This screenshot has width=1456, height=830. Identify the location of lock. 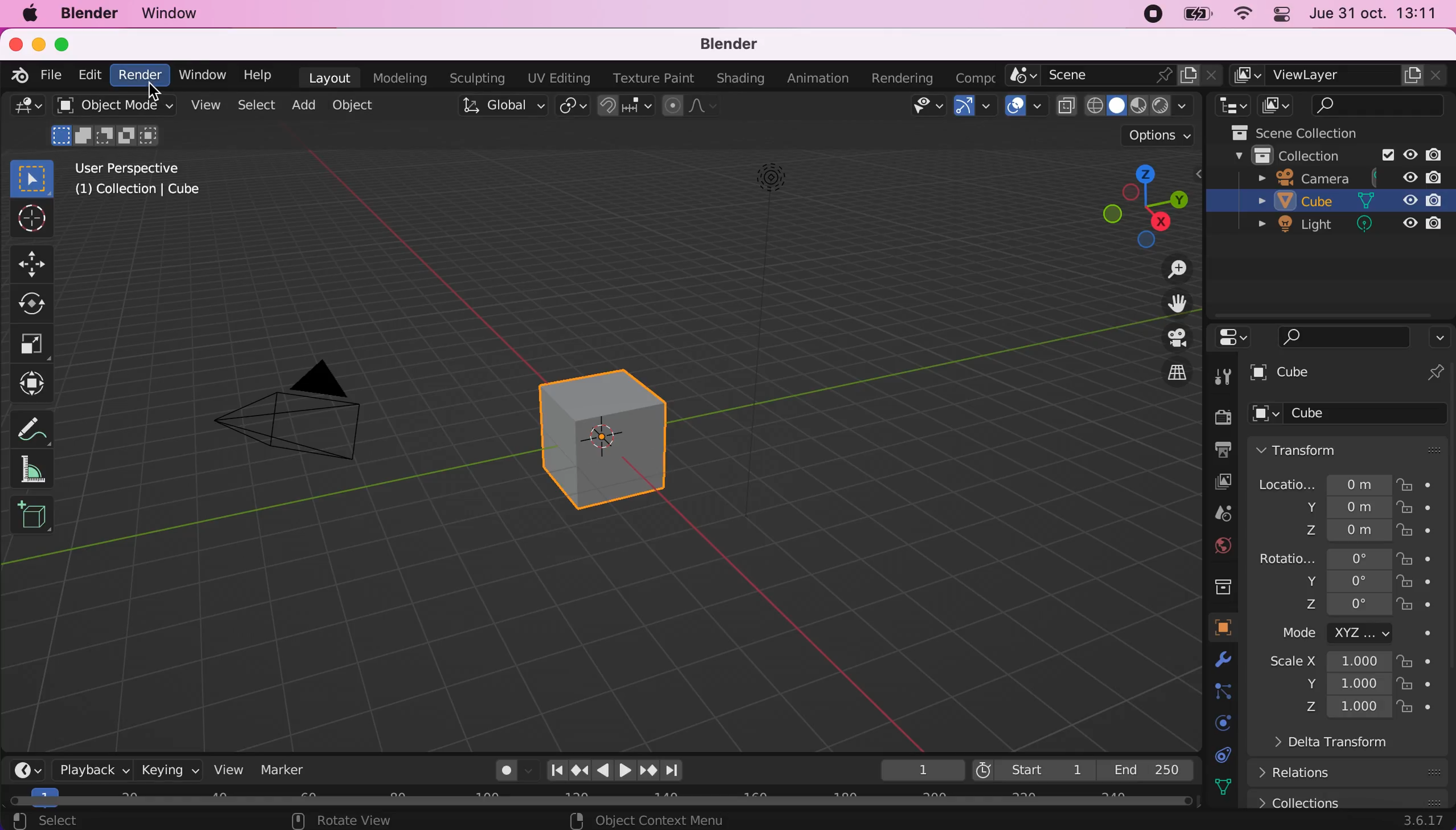
(1419, 584).